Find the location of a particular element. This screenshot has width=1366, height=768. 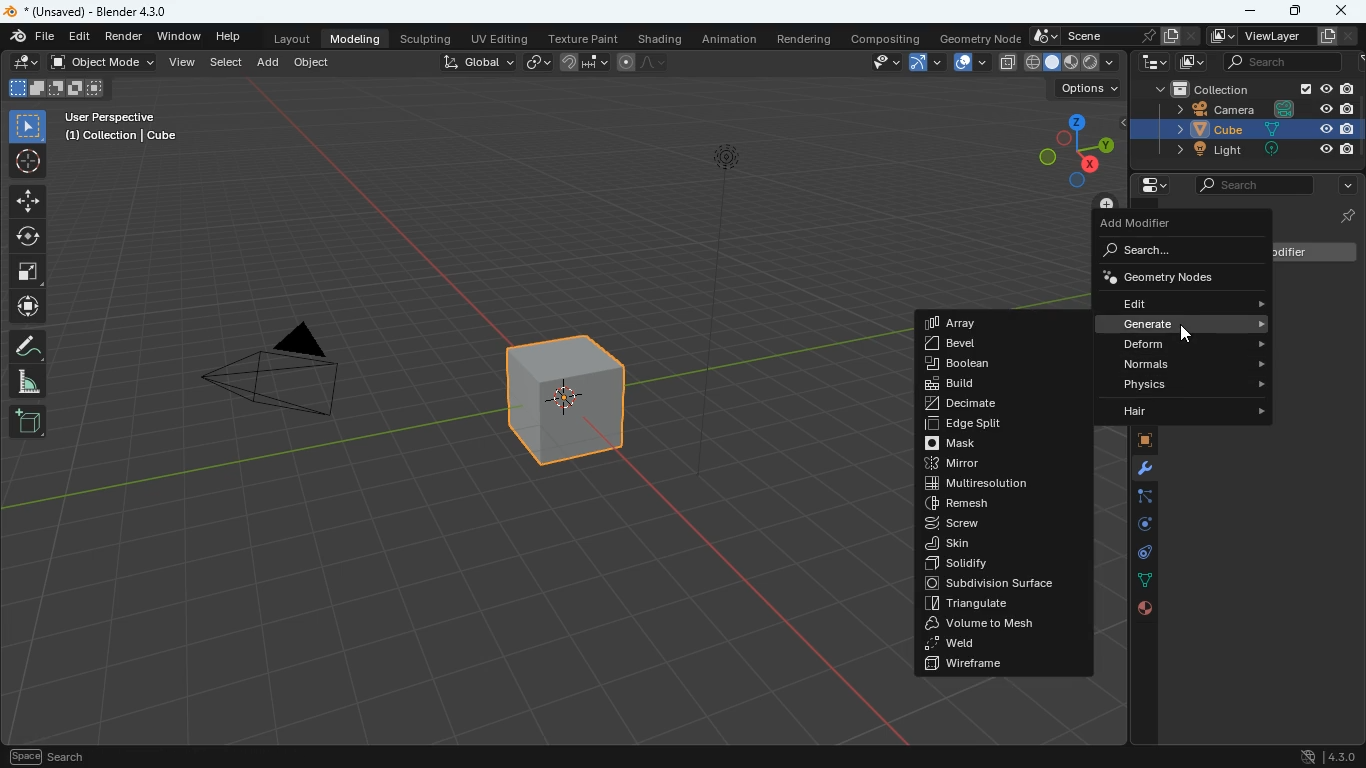

help is located at coordinates (227, 38).